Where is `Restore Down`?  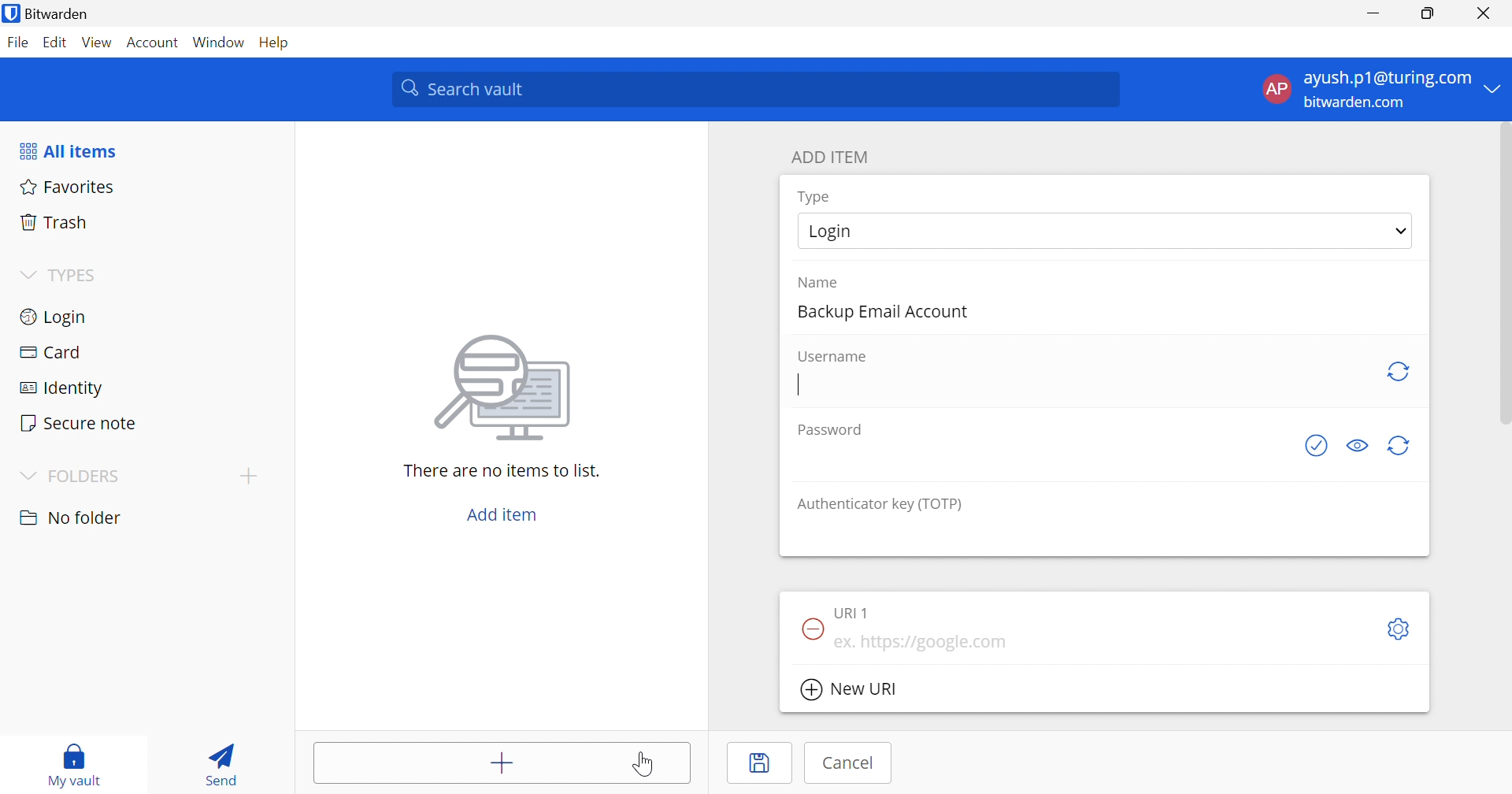
Restore Down is located at coordinates (1427, 12).